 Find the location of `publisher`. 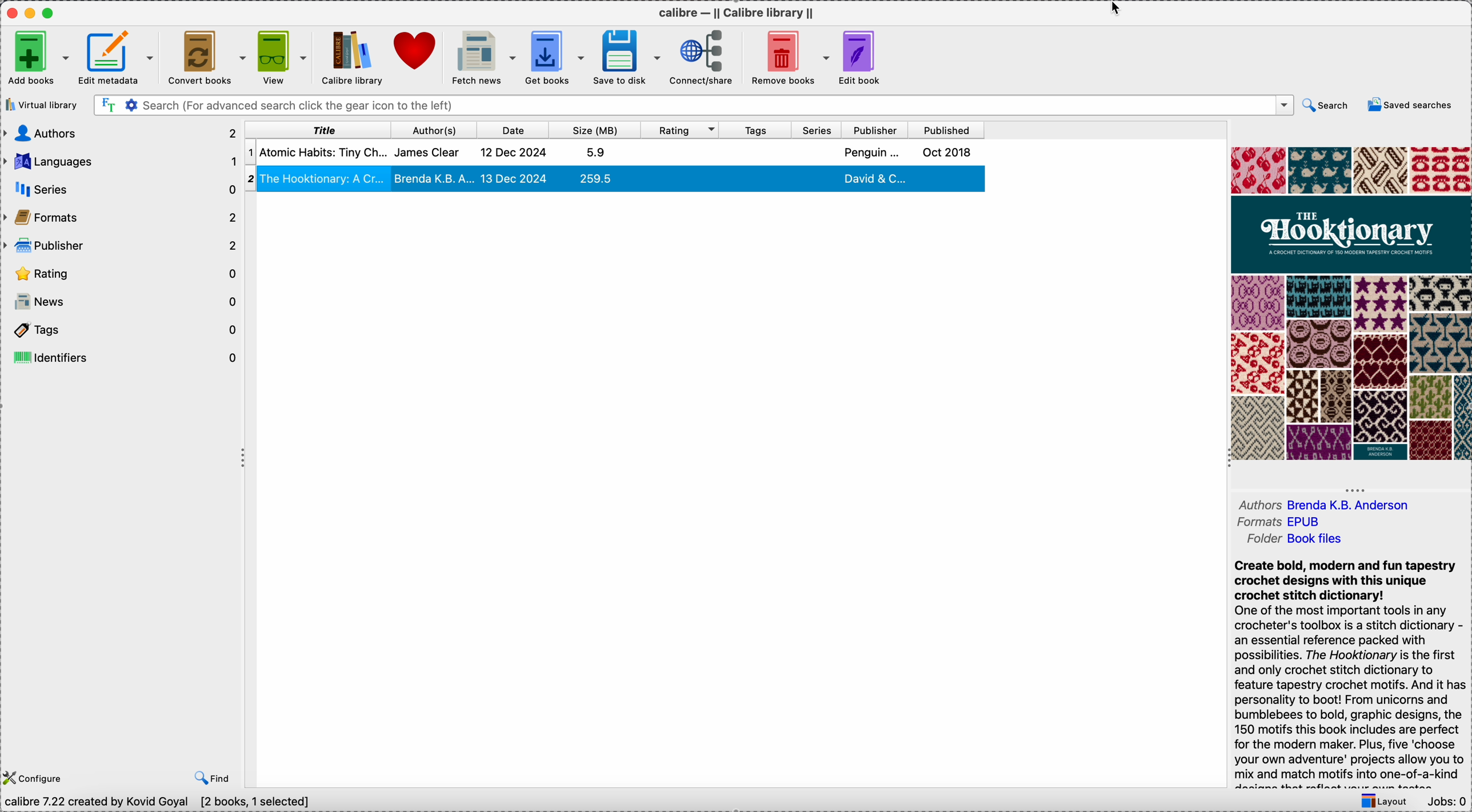

publisher is located at coordinates (874, 130).